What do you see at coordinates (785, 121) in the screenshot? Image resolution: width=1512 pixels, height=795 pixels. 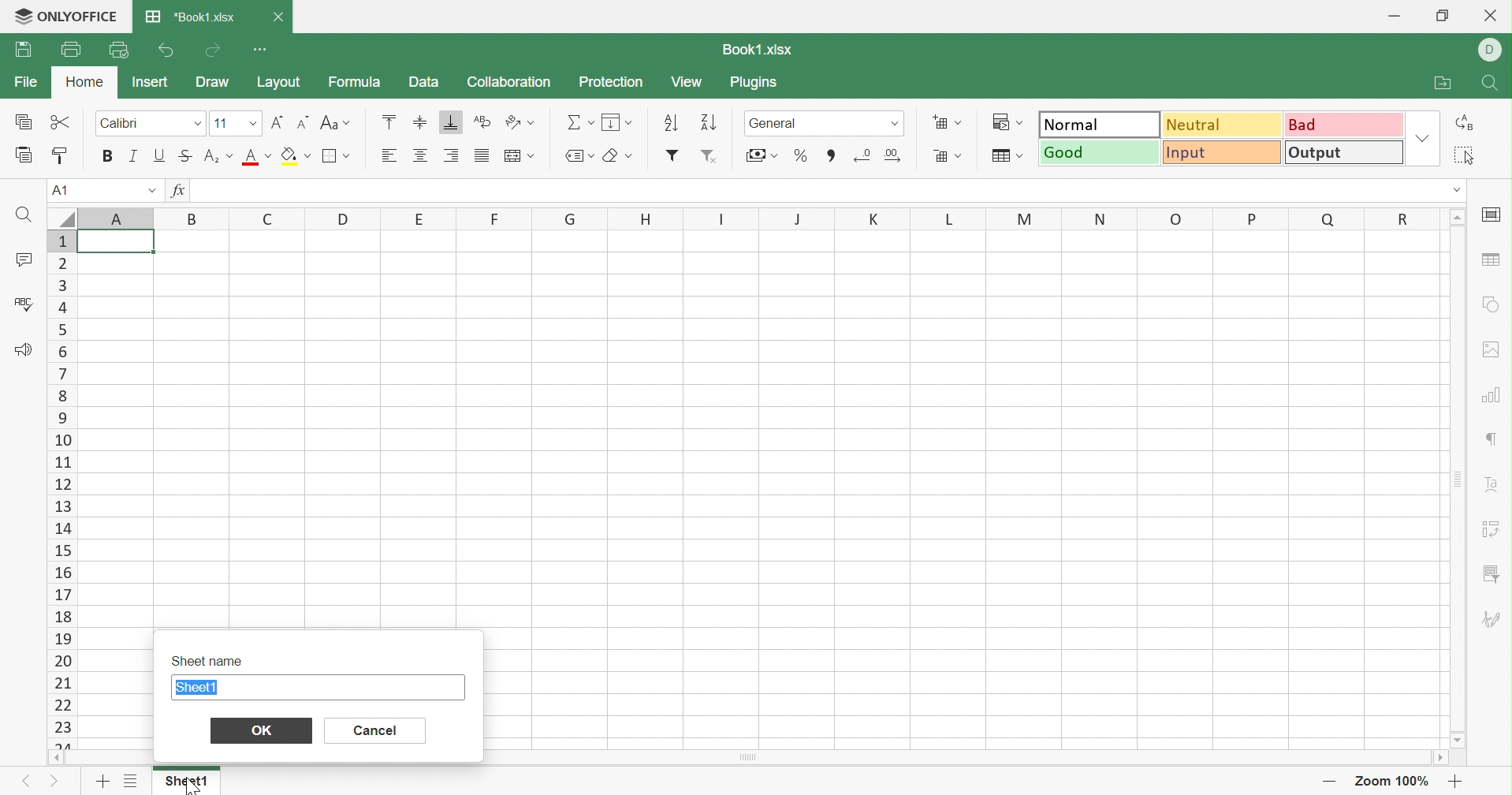 I see `General` at bounding box center [785, 121].